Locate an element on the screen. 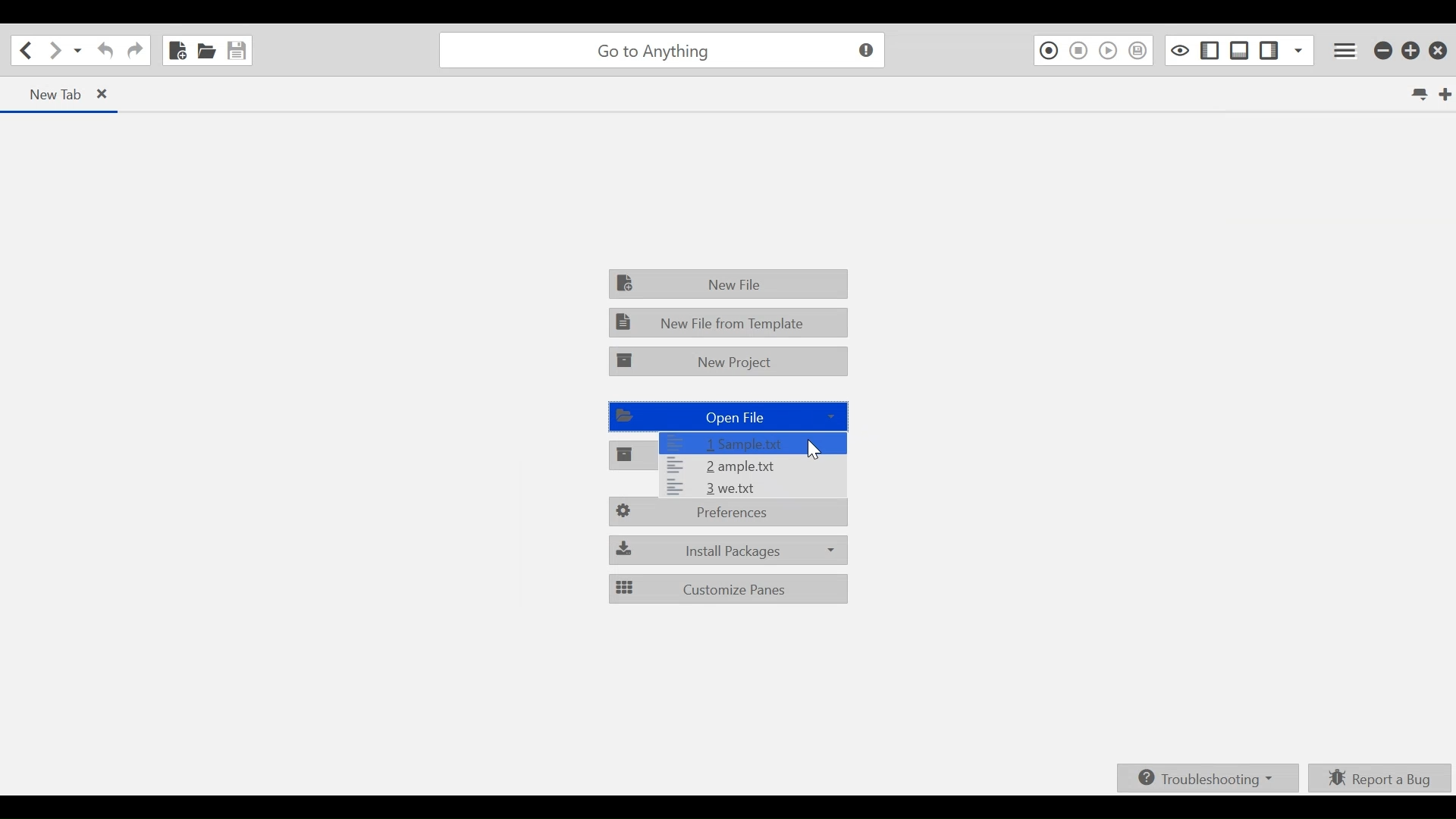 This screenshot has width=1456, height=819. Undo is located at coordinates (104, 51).